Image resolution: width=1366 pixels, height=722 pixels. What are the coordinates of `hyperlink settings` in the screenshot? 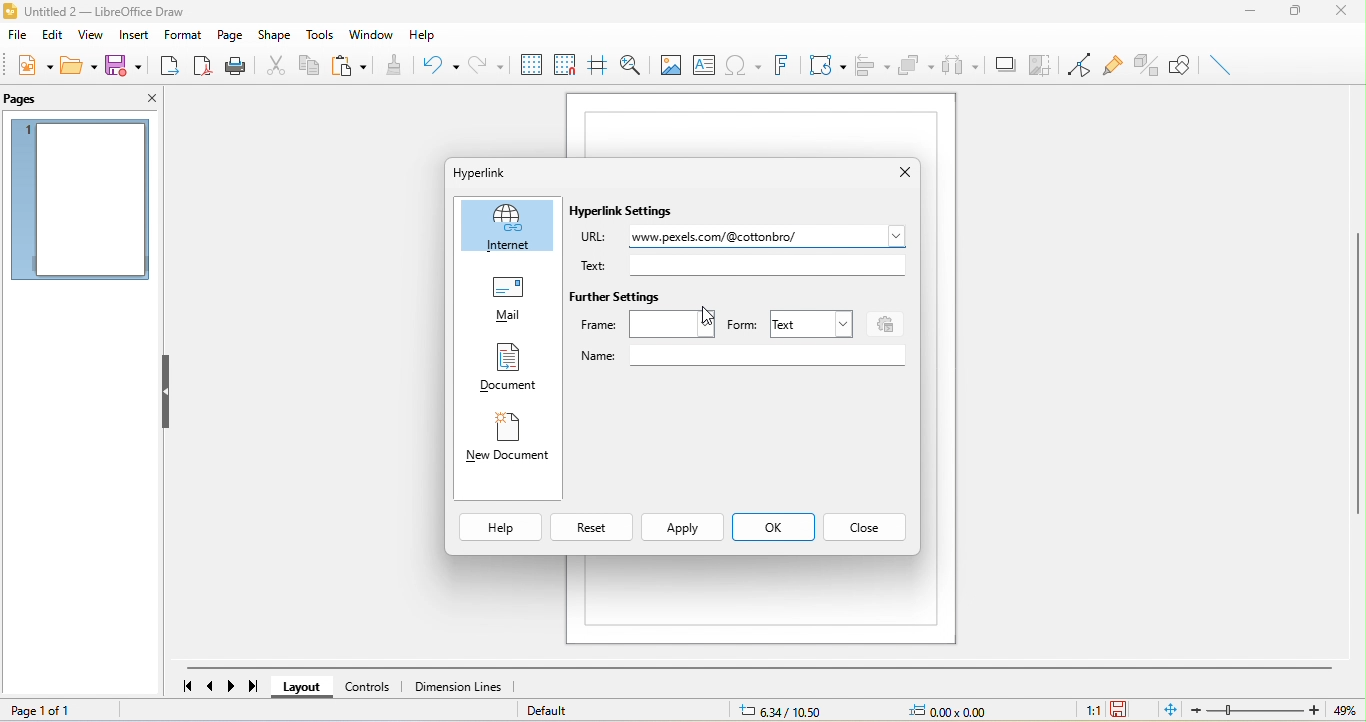 It's located at (634, 214).